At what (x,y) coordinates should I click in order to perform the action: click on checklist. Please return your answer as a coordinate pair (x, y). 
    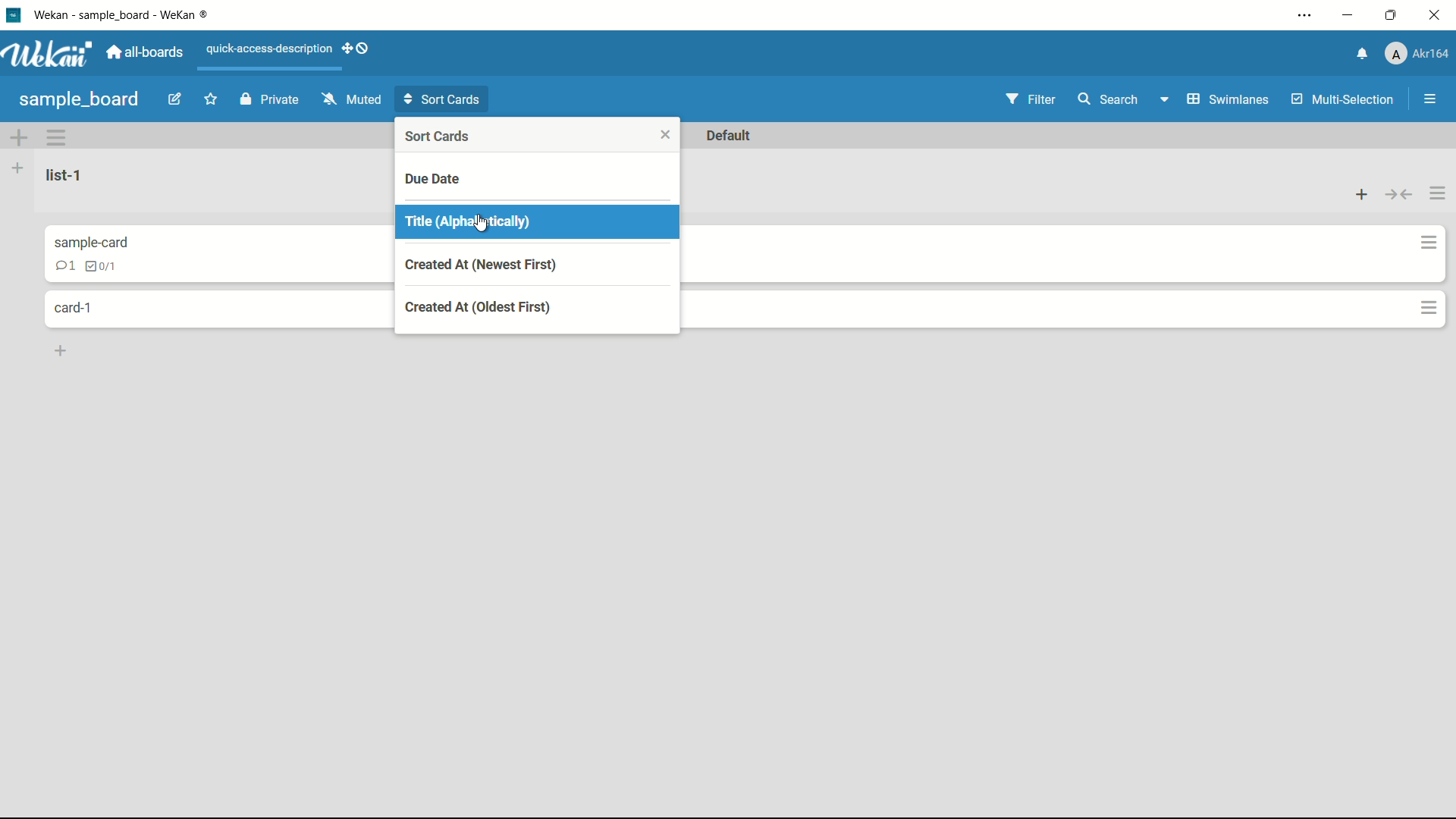
    Looking at the image, I should click on (99, 266).